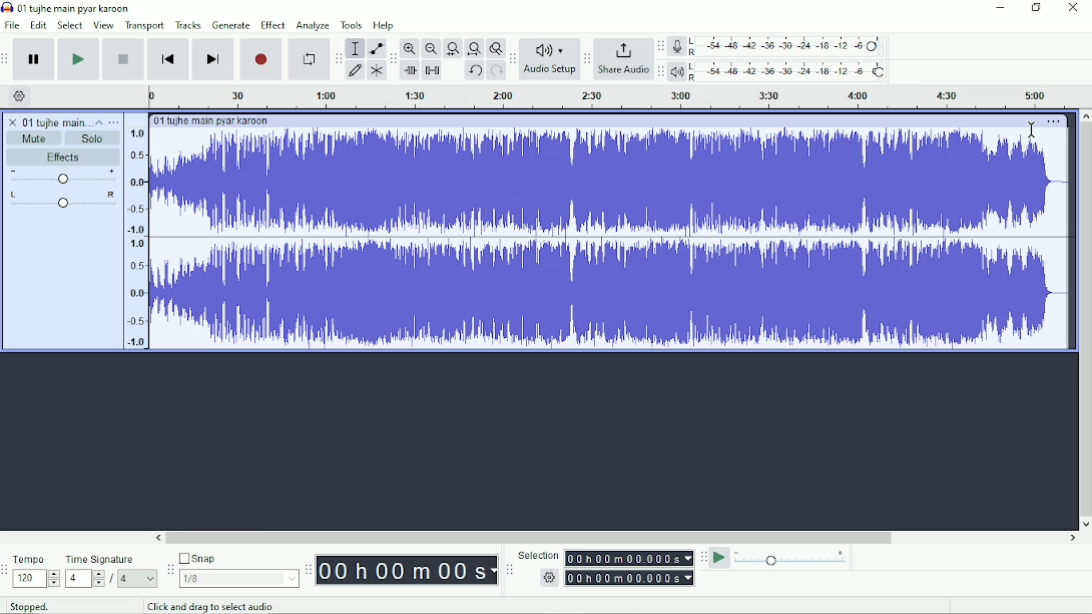 The height and width of the screenshot is (614, 1092). I want to click on Mute, so click(34, 139).